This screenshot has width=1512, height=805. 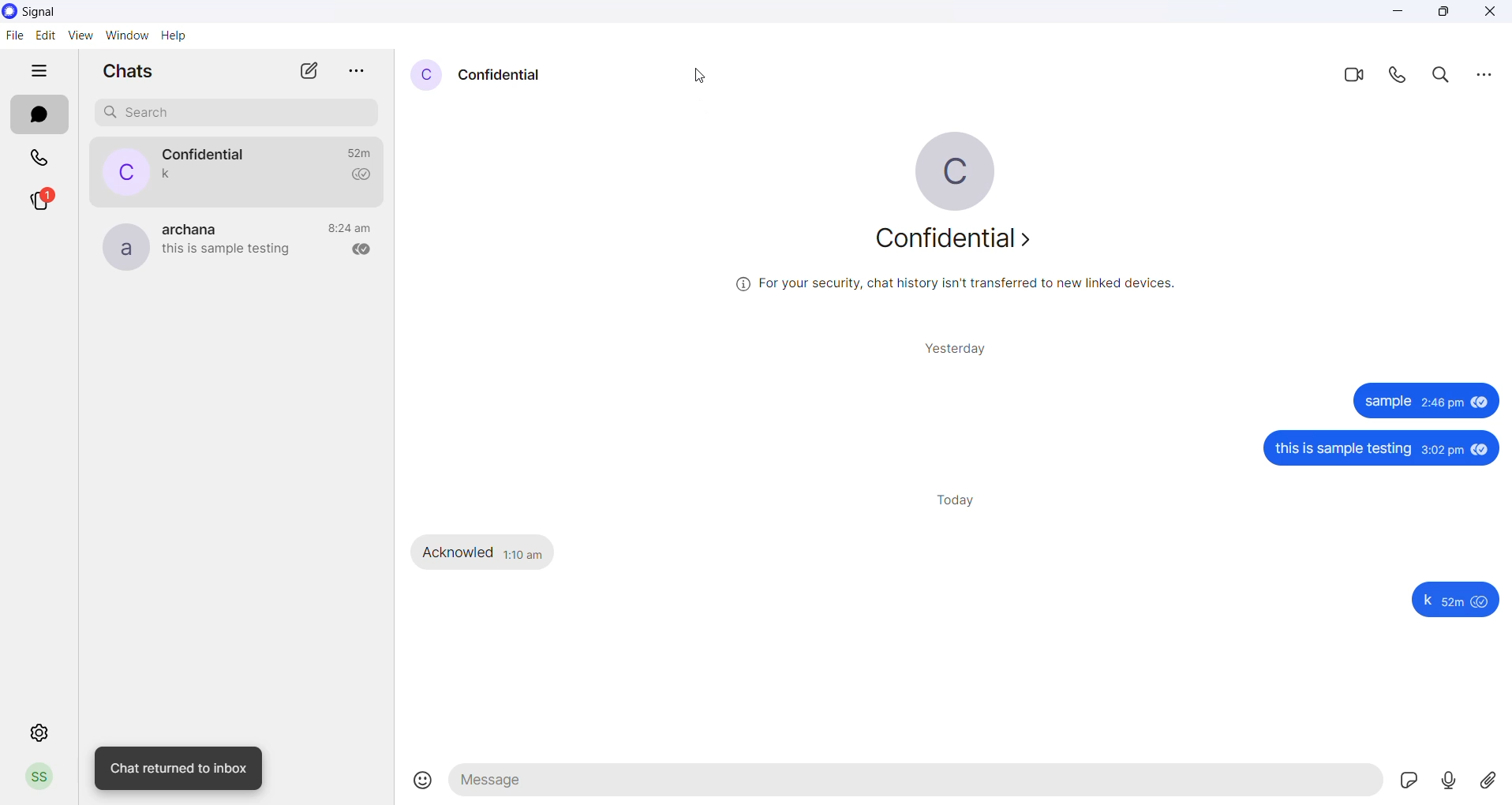 What do you see at coordinates (43, 35) in the screenshot?
I see `edit` at bounding box center [43, 35].